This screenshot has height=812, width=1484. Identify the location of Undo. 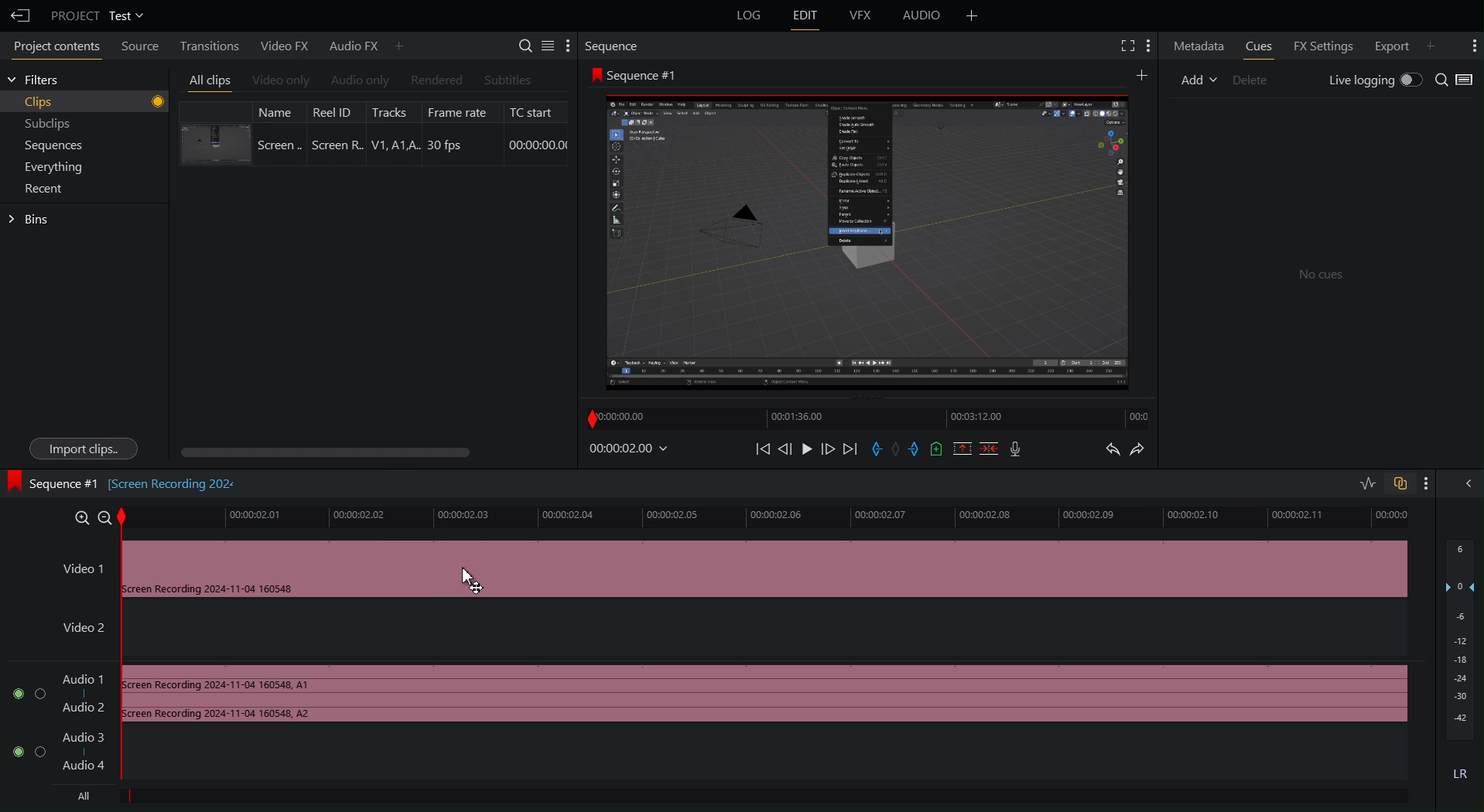
(1112, 450).